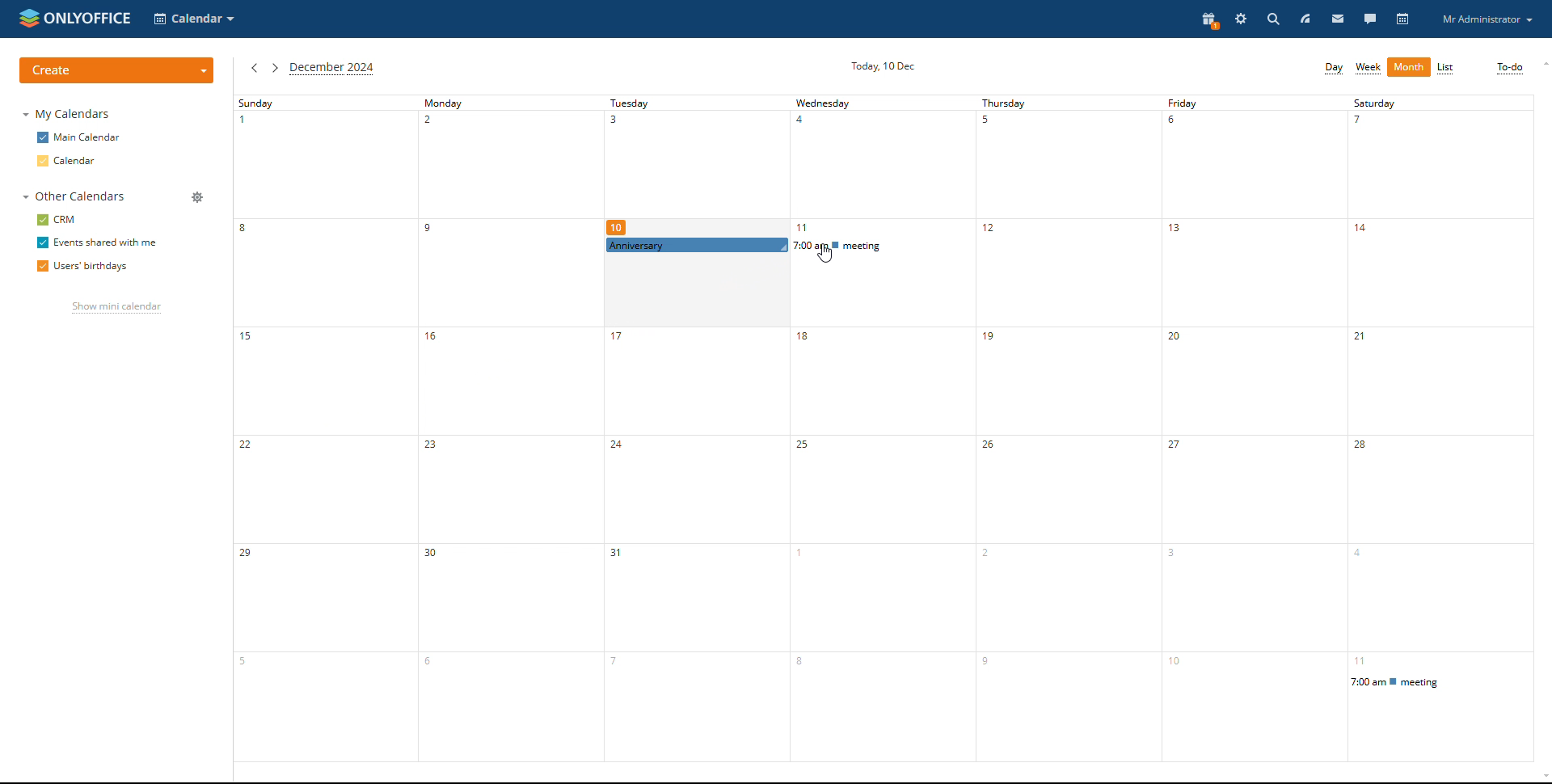 Image resolution: width=1552 pixels, height=784 pixels. I want to click on calendar, so click(1401, 19).